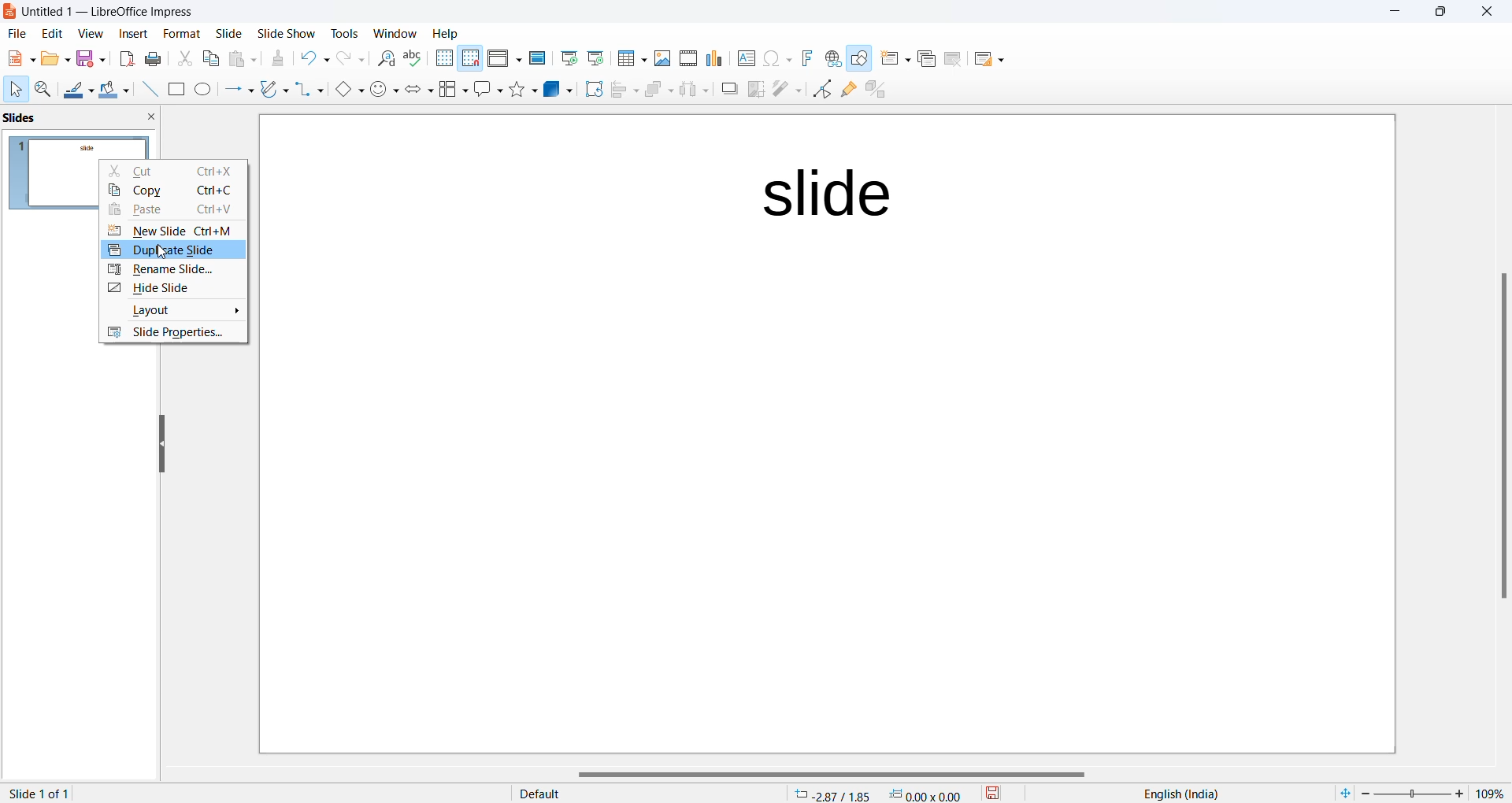 This screenshot has width=1512, height=803. I want to click on Print, so click(155, 58).